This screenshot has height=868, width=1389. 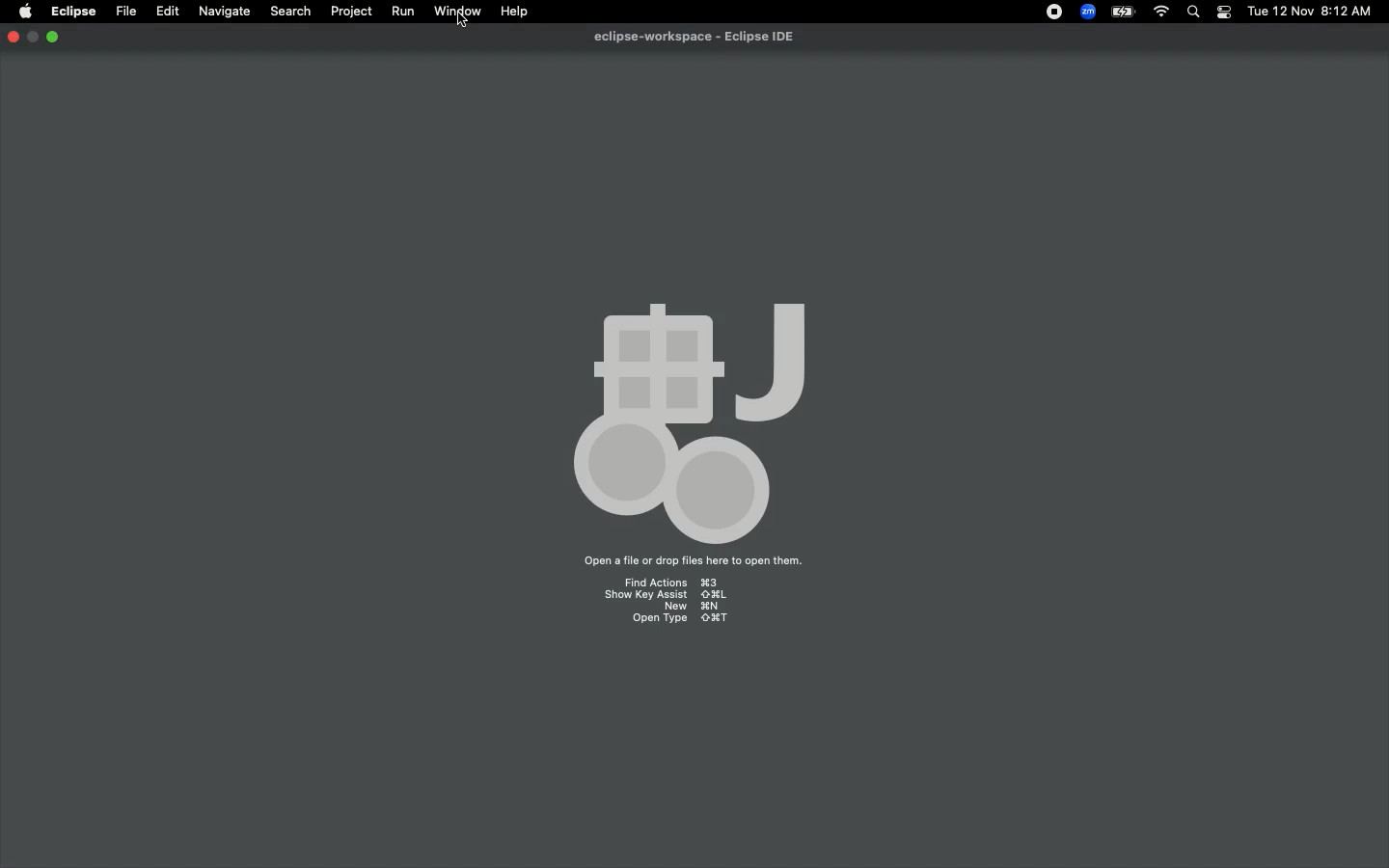 What do you see at coordinates (701, 37) in the screenshot?
I see `Eclipse IDE workspace` at bounding box center [701, 37].